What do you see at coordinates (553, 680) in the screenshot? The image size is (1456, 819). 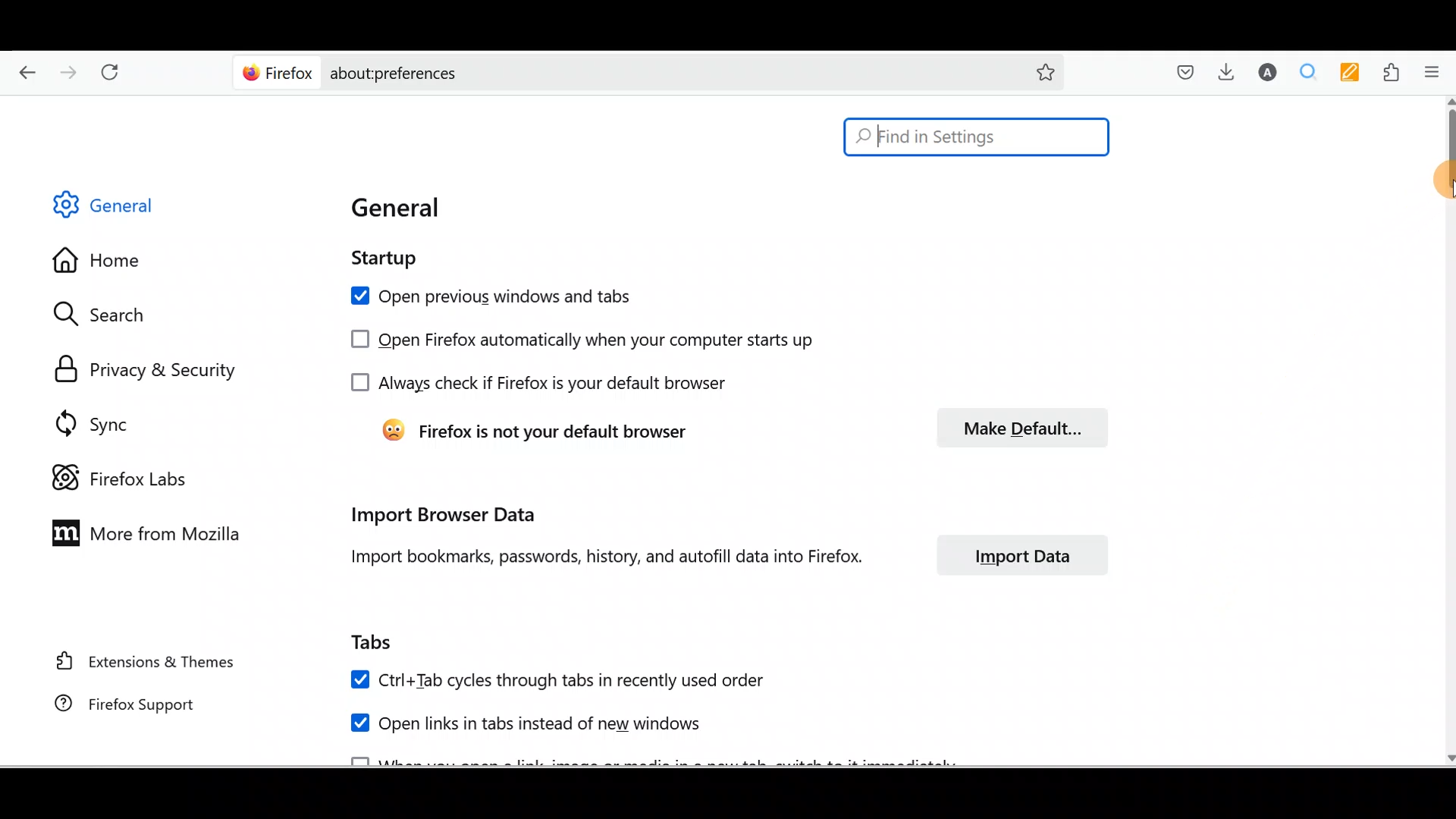 I see `Ctrl+ Tab cycles through tabs in recently used order.` at bounding box center [553, 680].